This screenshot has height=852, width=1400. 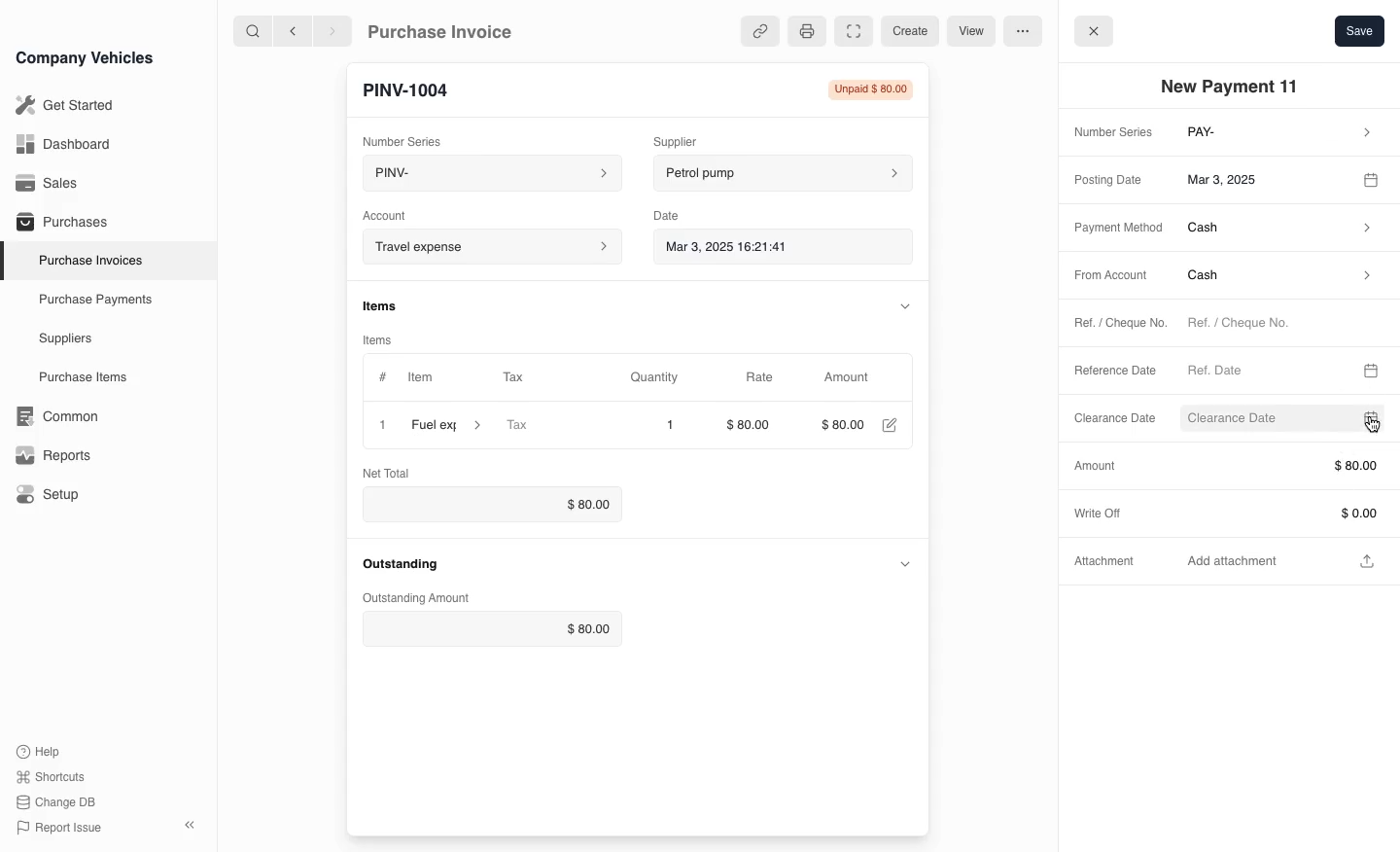 I want to click on link, so click(x=756, y=31).